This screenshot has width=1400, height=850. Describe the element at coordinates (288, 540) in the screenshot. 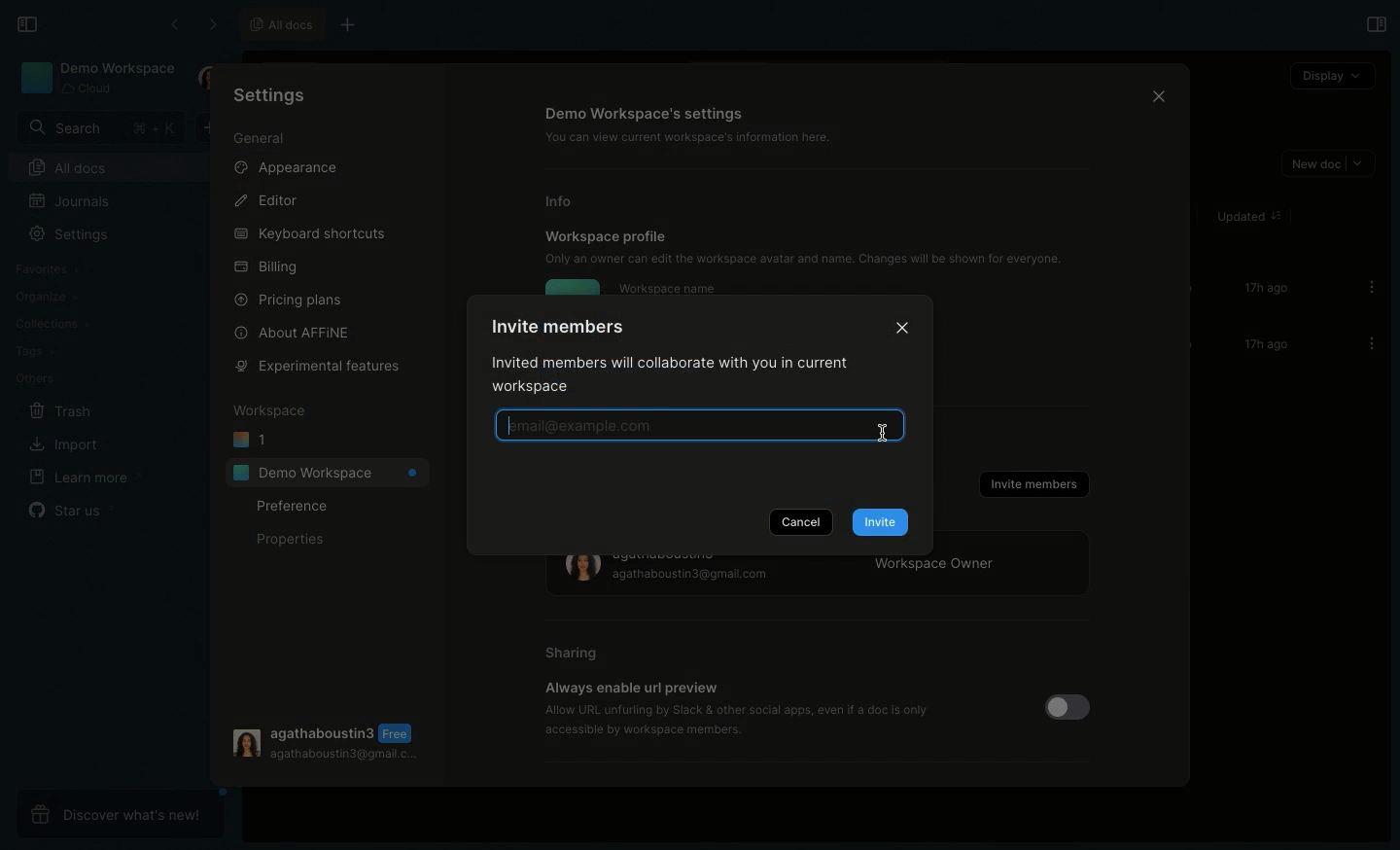

I see `Properties` at that location.